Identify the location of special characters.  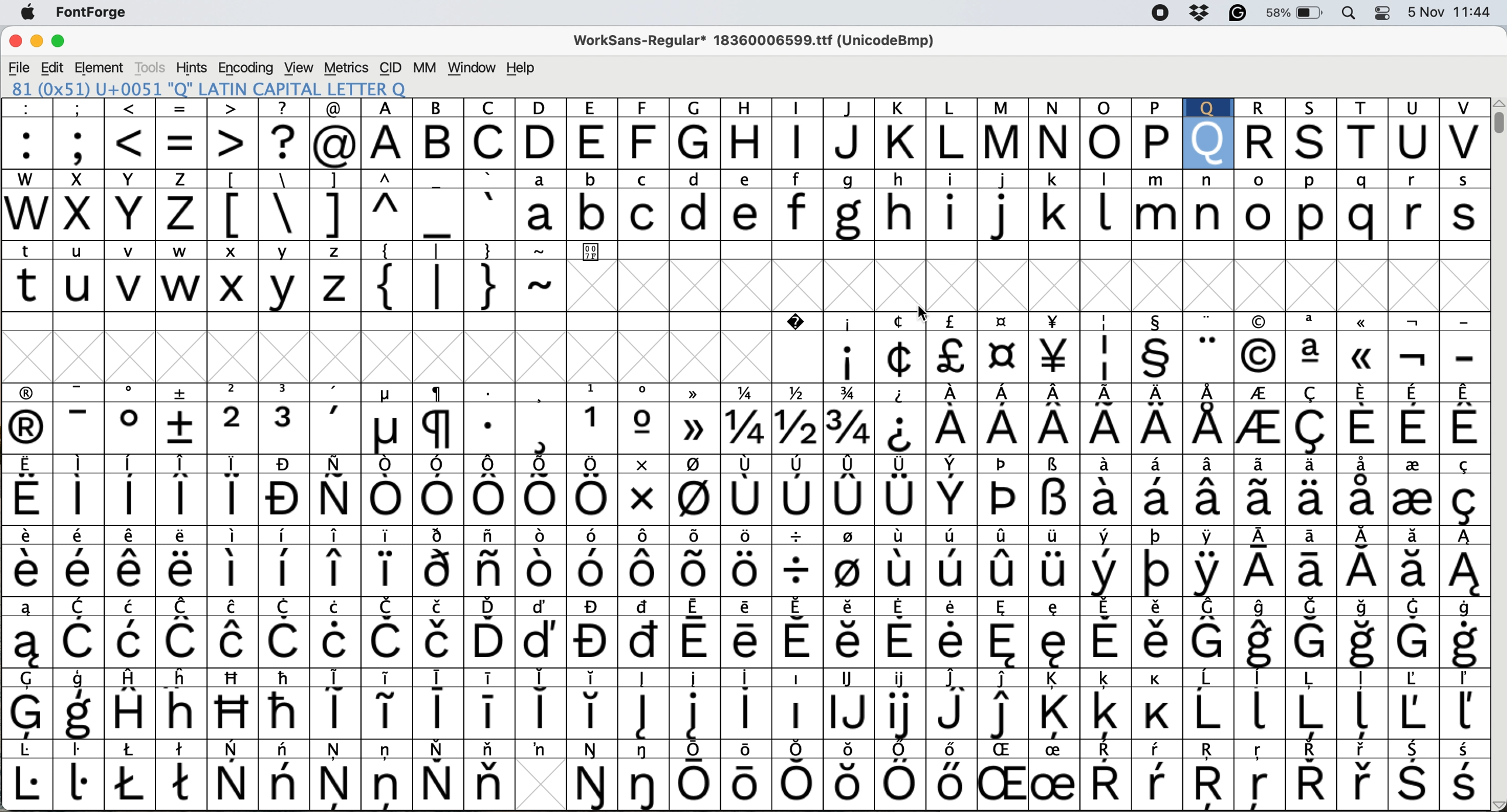
(1130, 322).